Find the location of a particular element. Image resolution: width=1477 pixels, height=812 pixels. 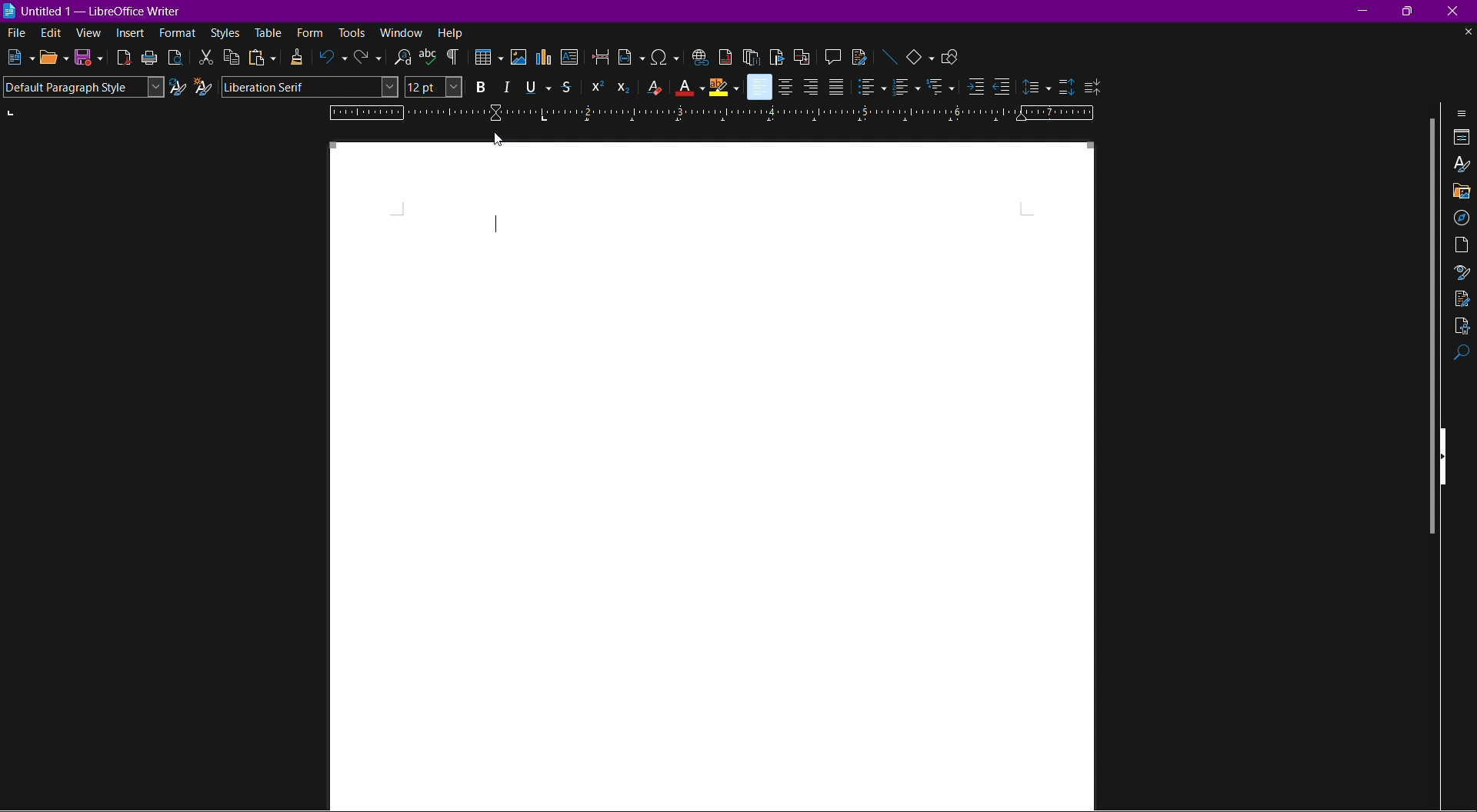

Font size is located at coordinates (432, 88).